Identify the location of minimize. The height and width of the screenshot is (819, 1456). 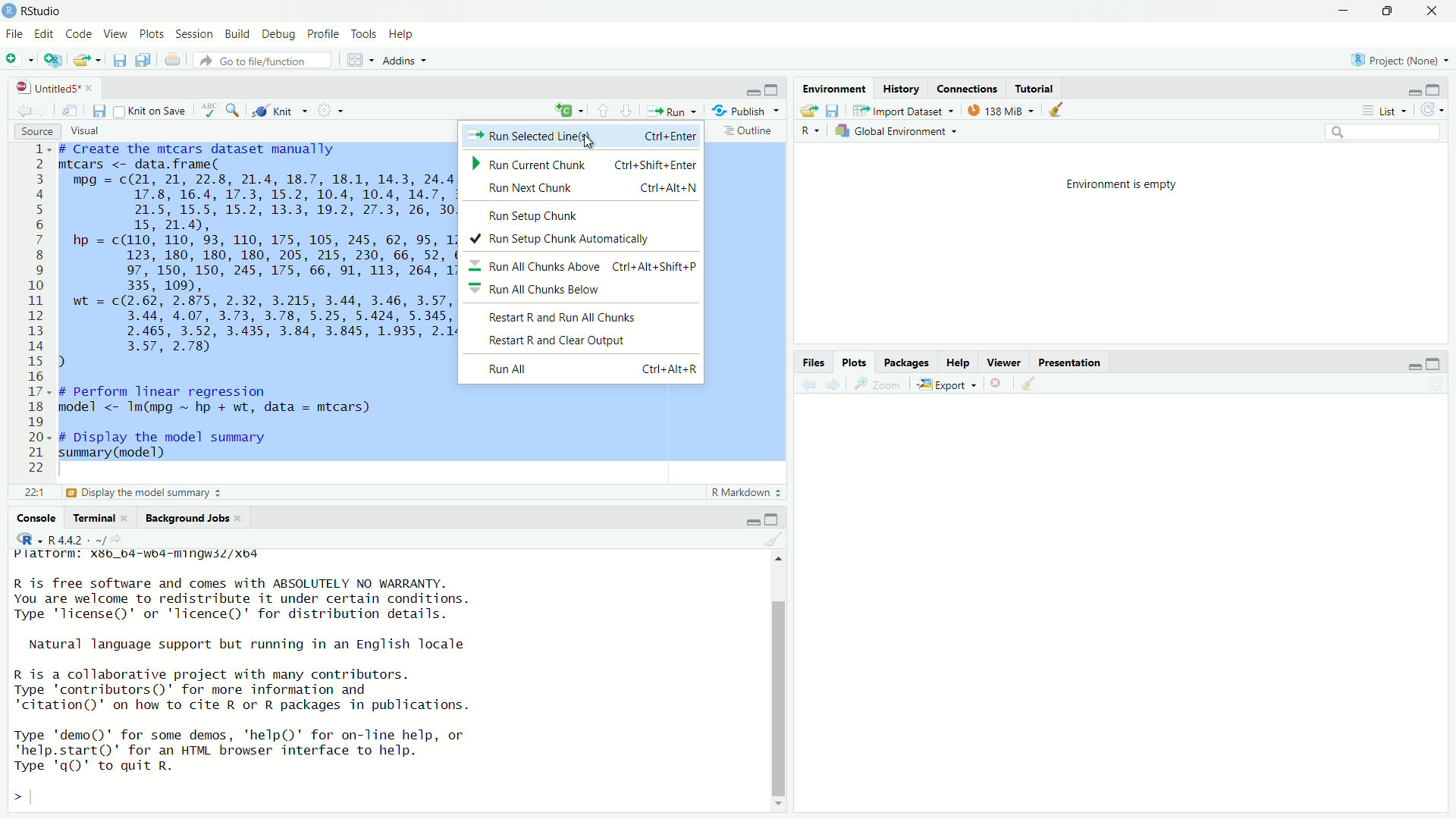
(1413, 93).